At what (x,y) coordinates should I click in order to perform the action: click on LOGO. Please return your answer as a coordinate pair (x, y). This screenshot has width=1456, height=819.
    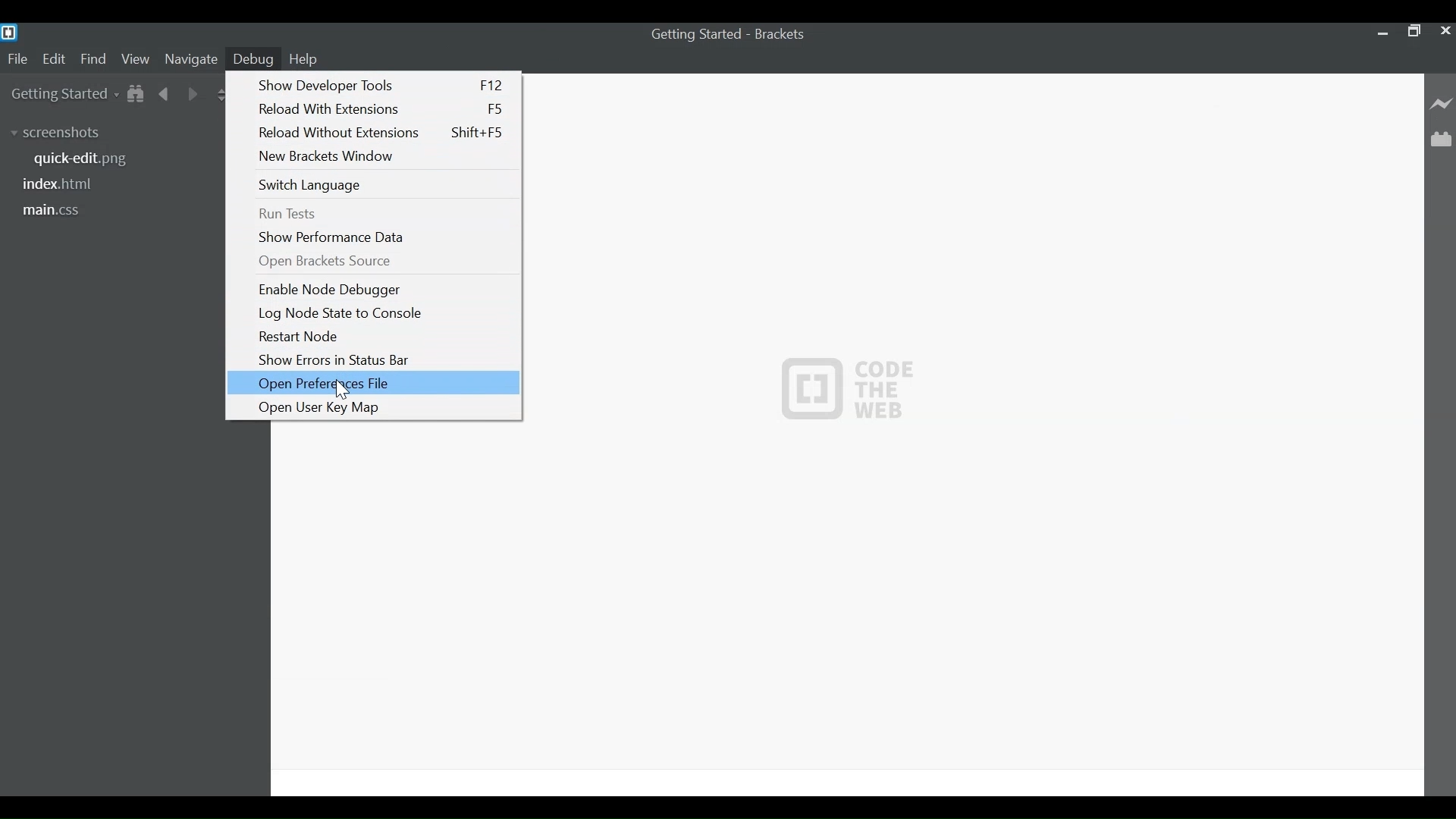
    Looking at the image, I should click on (849, 386).